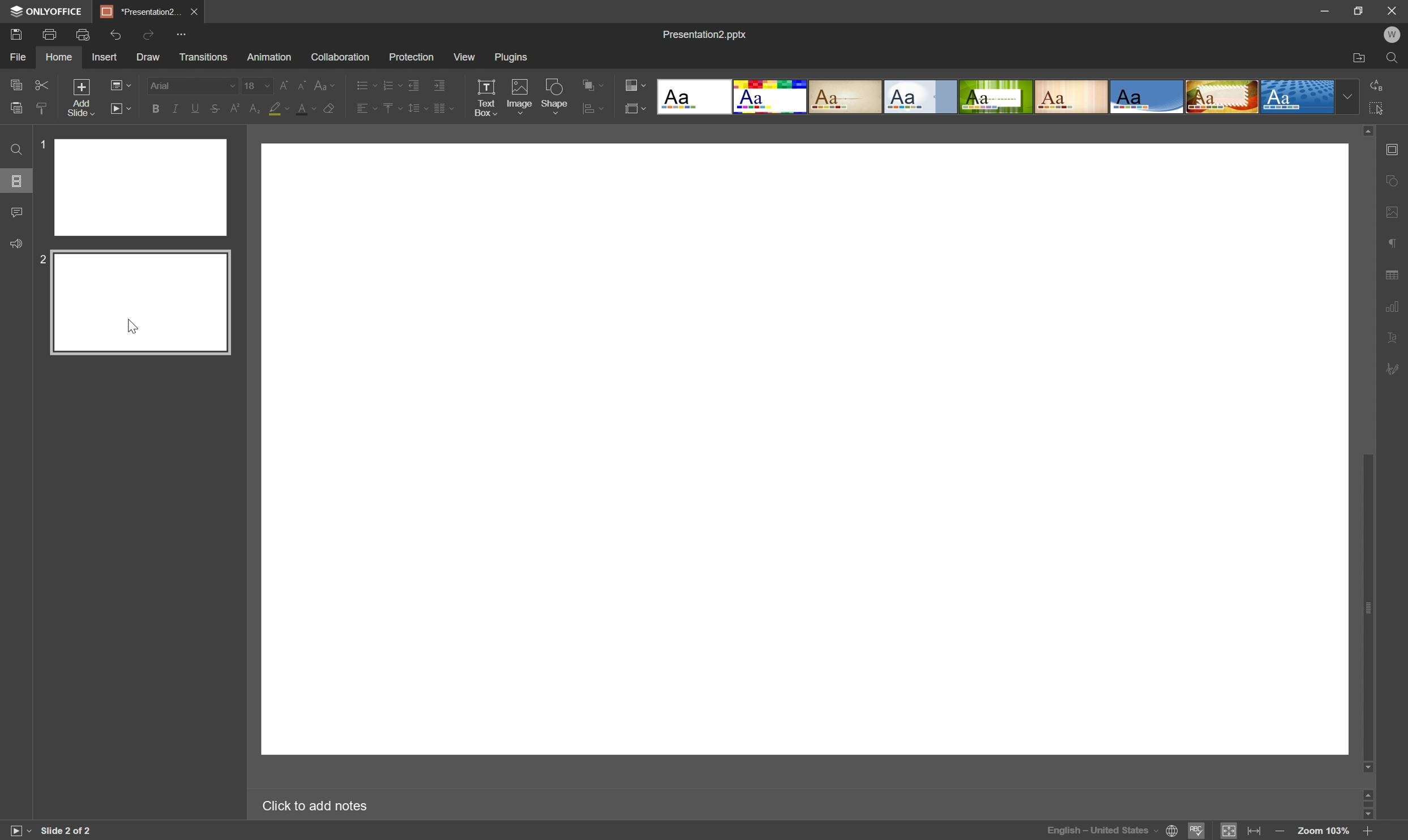 This screenshot has height=840, width=1408. Describe the element at coordinates (19, 57) in the screenshot. I see `File` at that location.